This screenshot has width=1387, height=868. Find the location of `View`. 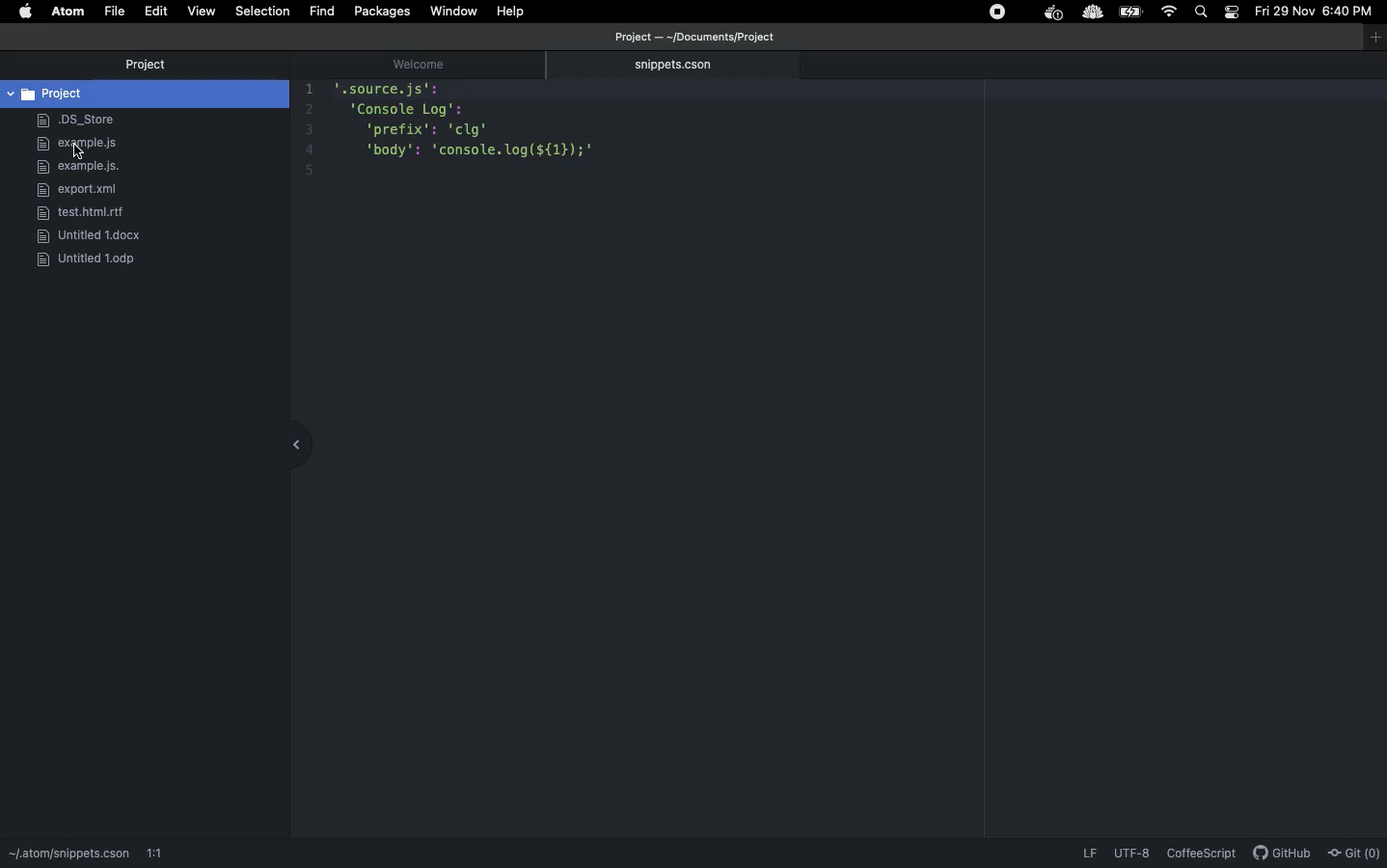

View is located at coordinates (202, 12).